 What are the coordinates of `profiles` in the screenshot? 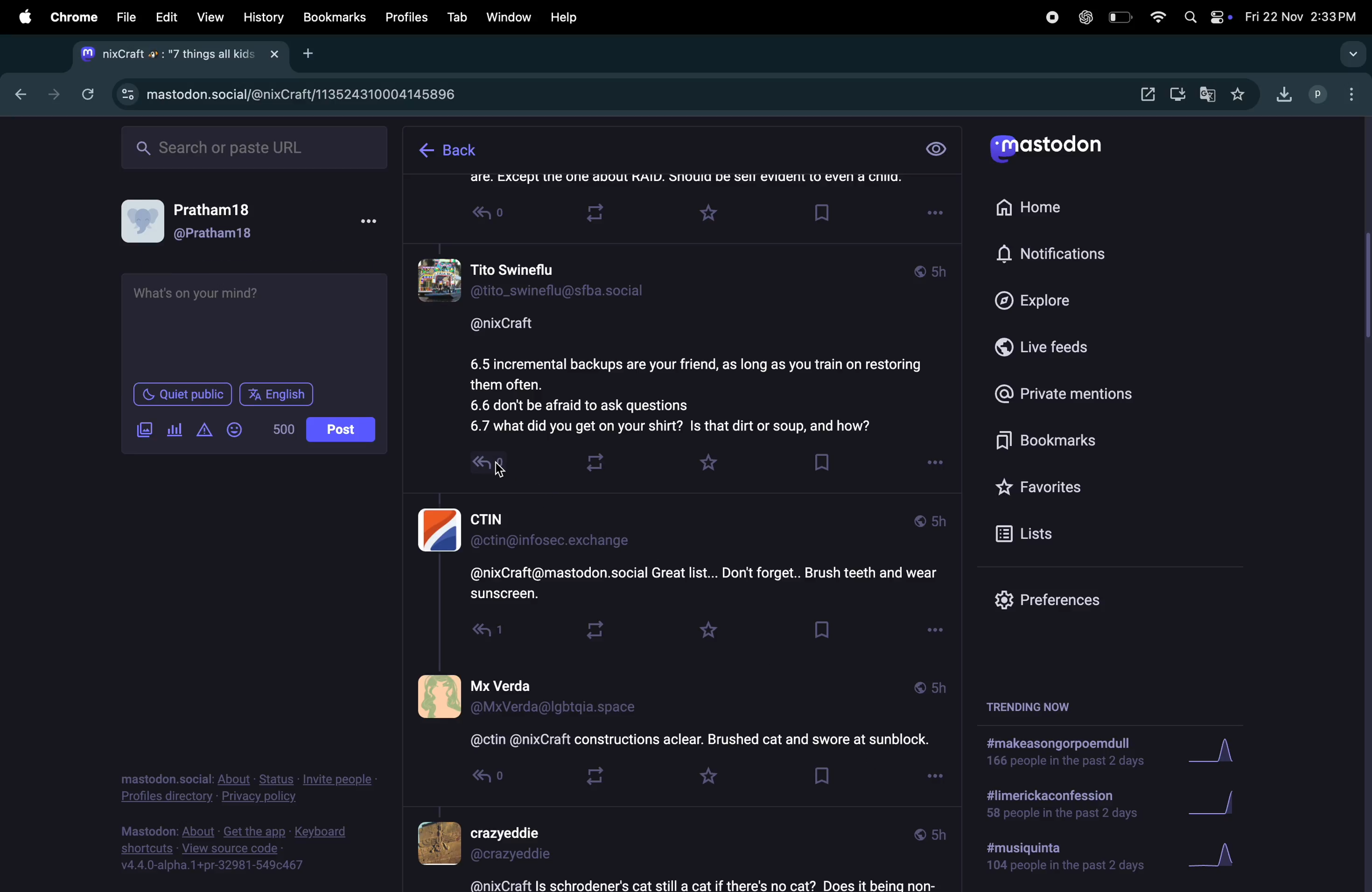 It's located at (404, 18).